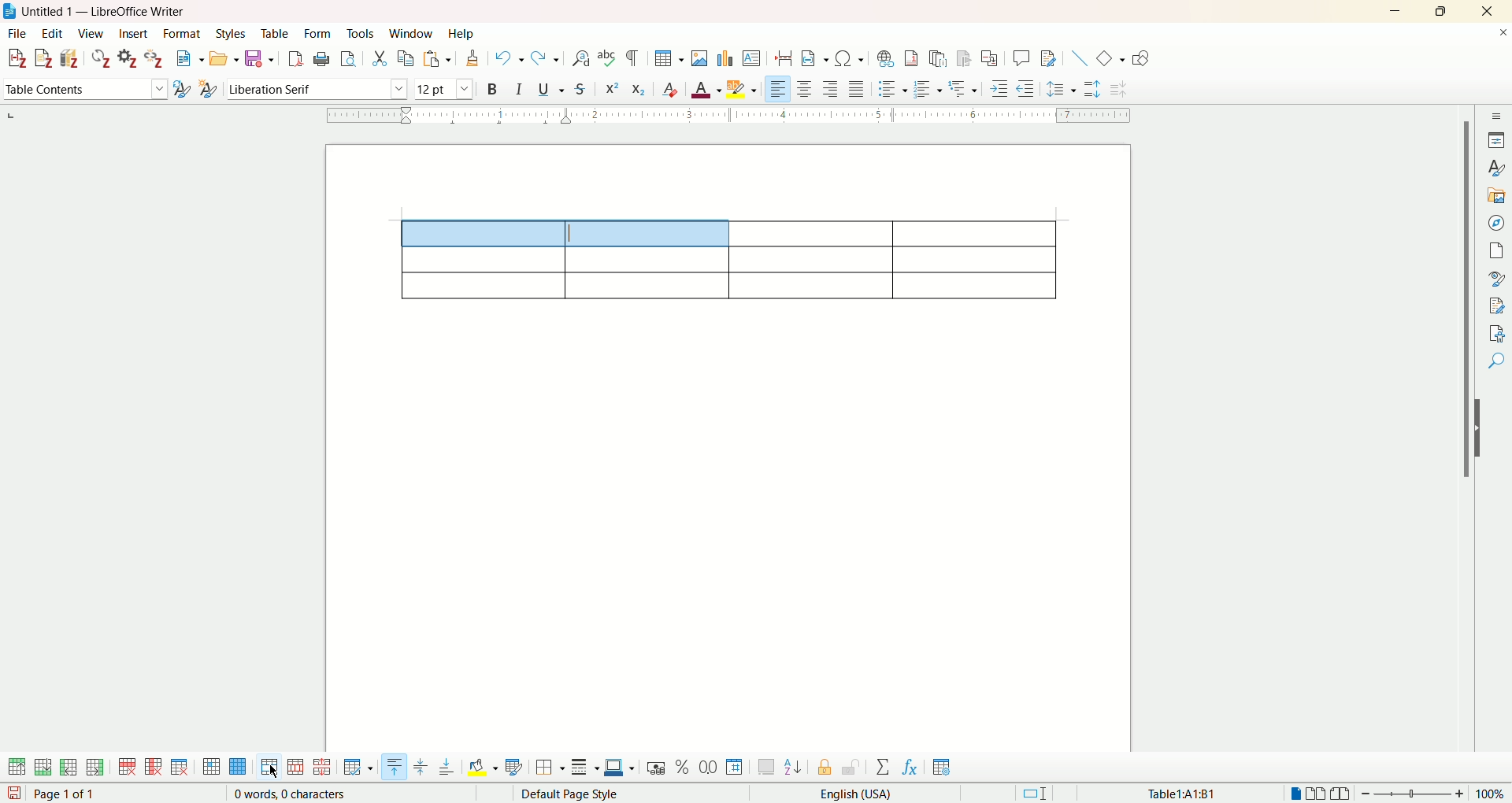 The image size is (1512, 803). Describe the element at coordinates (101, 56) in the screenshot. I see `refresh` at that location.